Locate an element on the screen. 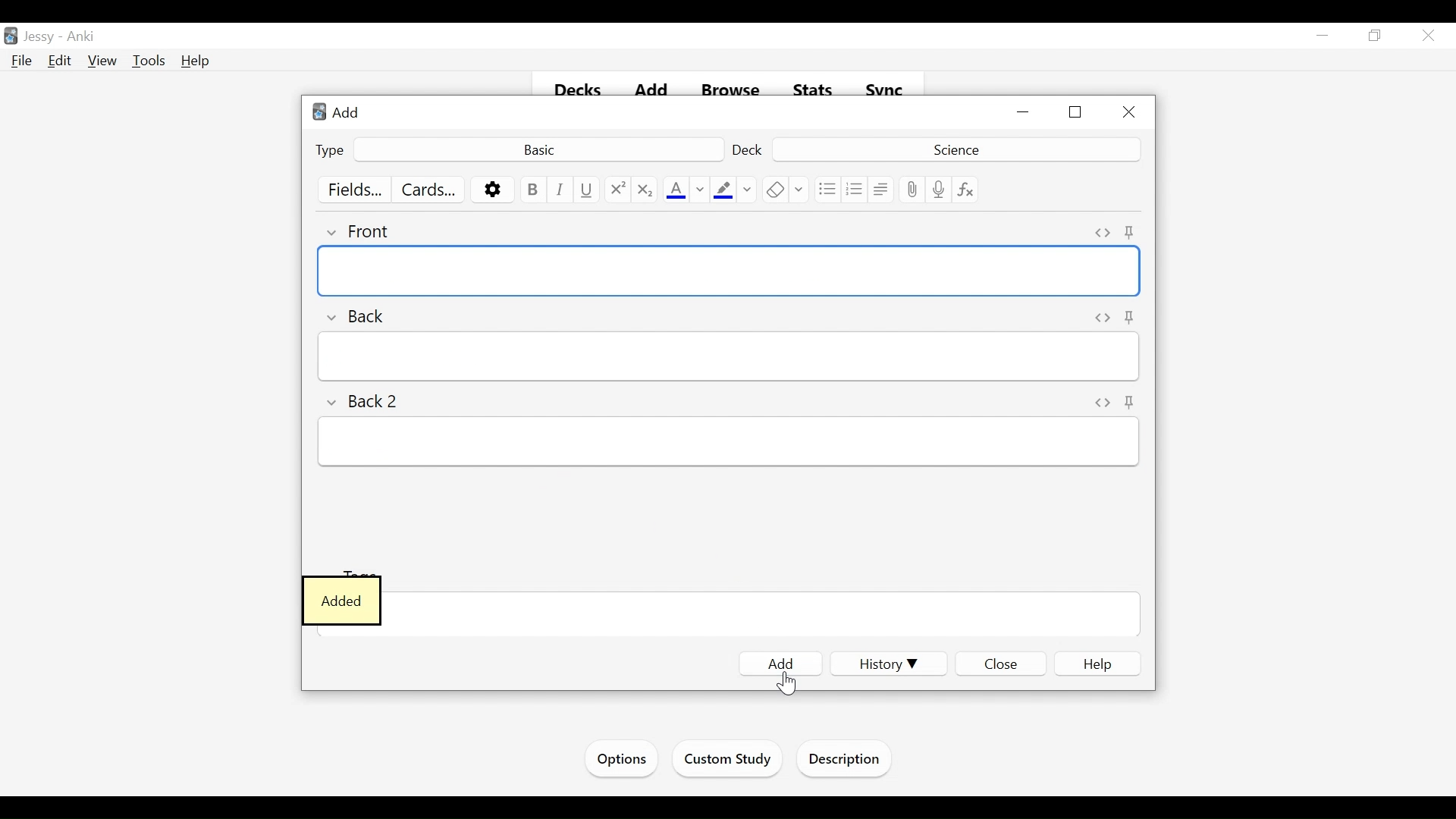  Added is located at coordinates (342, 602).